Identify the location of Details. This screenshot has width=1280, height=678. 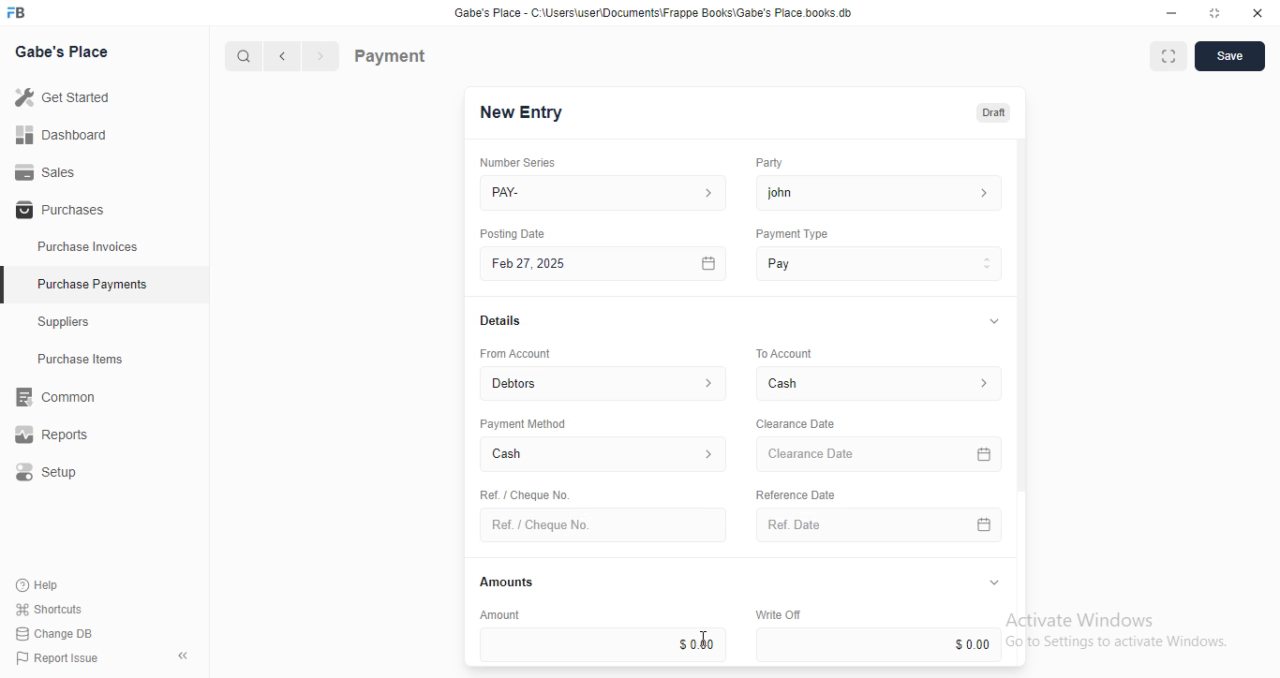
(498, 321).